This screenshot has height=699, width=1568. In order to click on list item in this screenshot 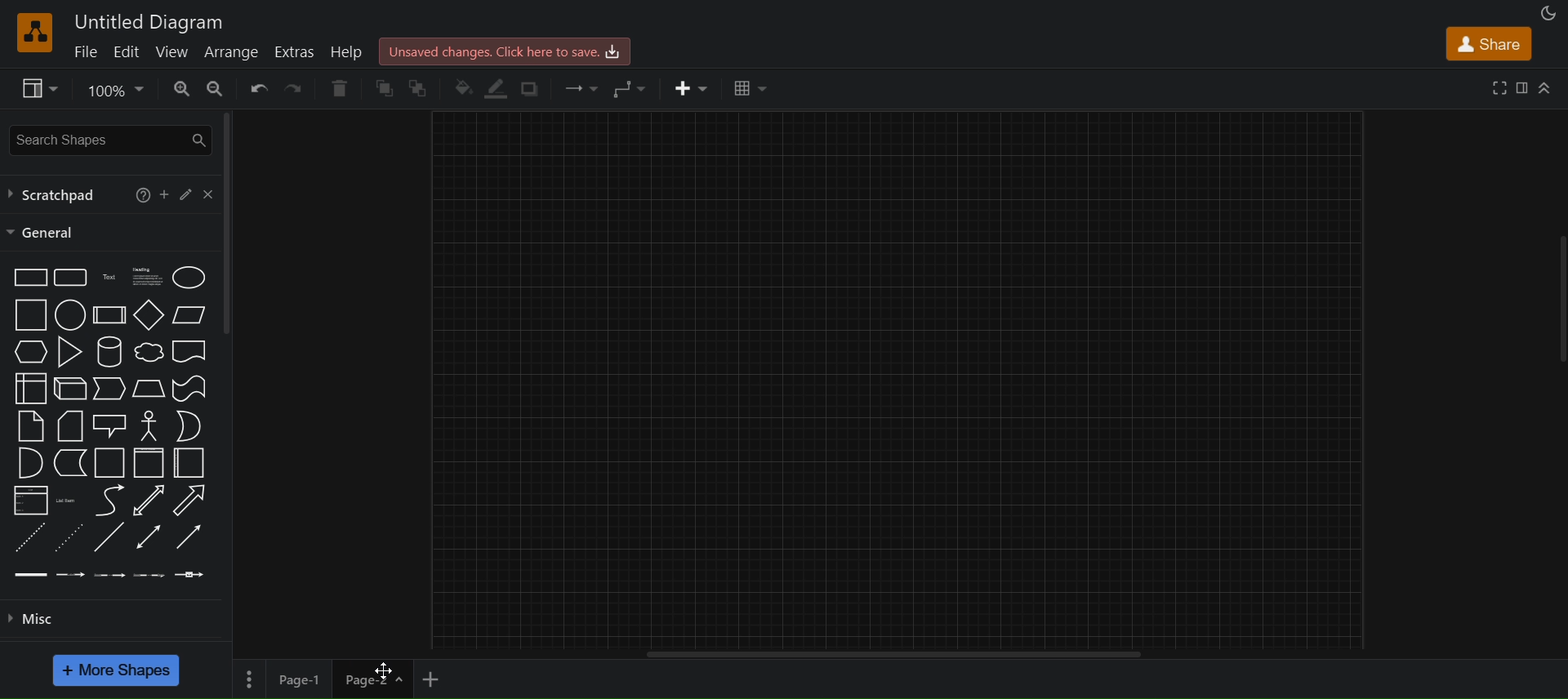, I will do `click(67, 501)`.